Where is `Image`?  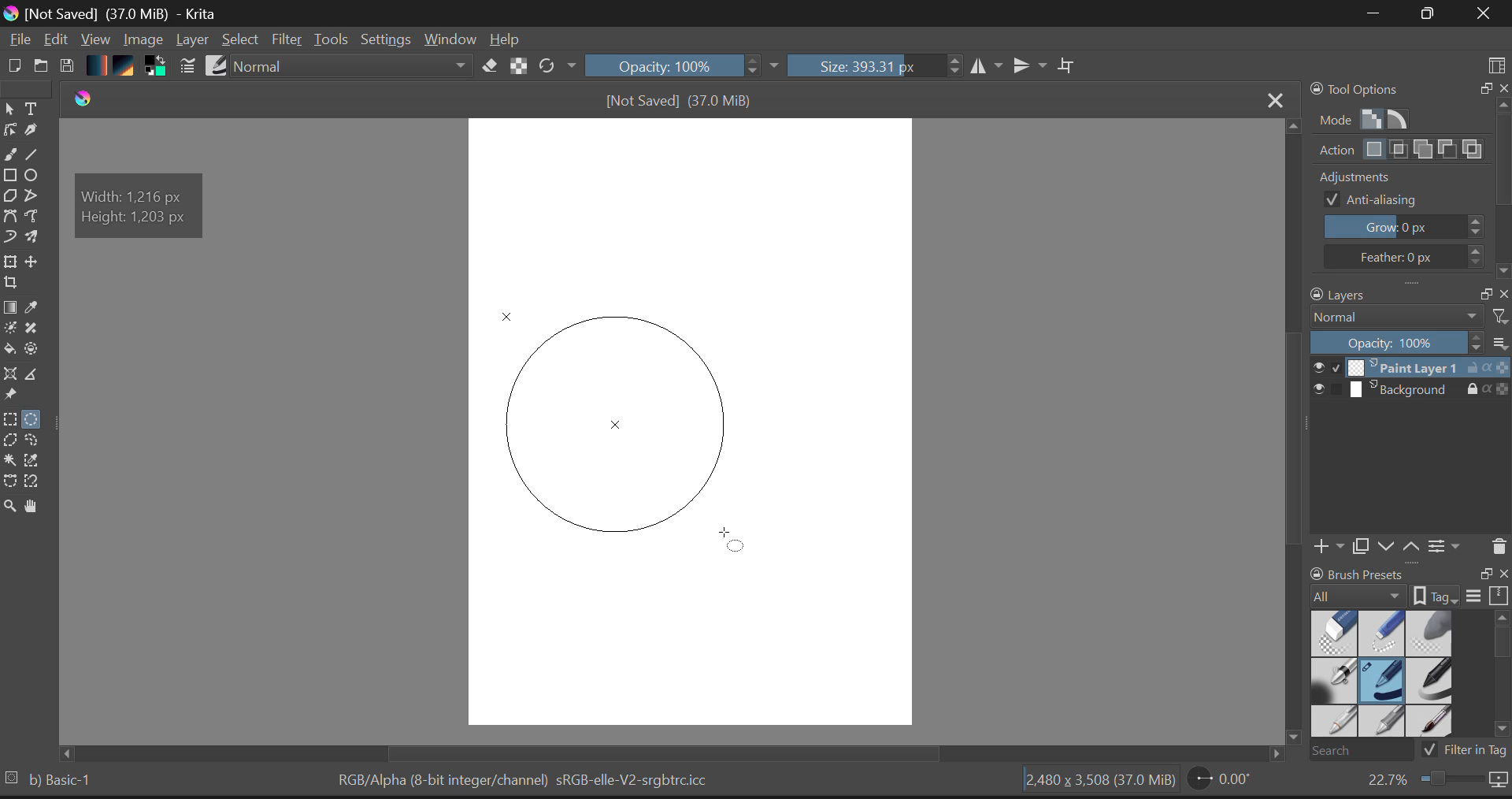 Image is located at coordinates (143, 39).